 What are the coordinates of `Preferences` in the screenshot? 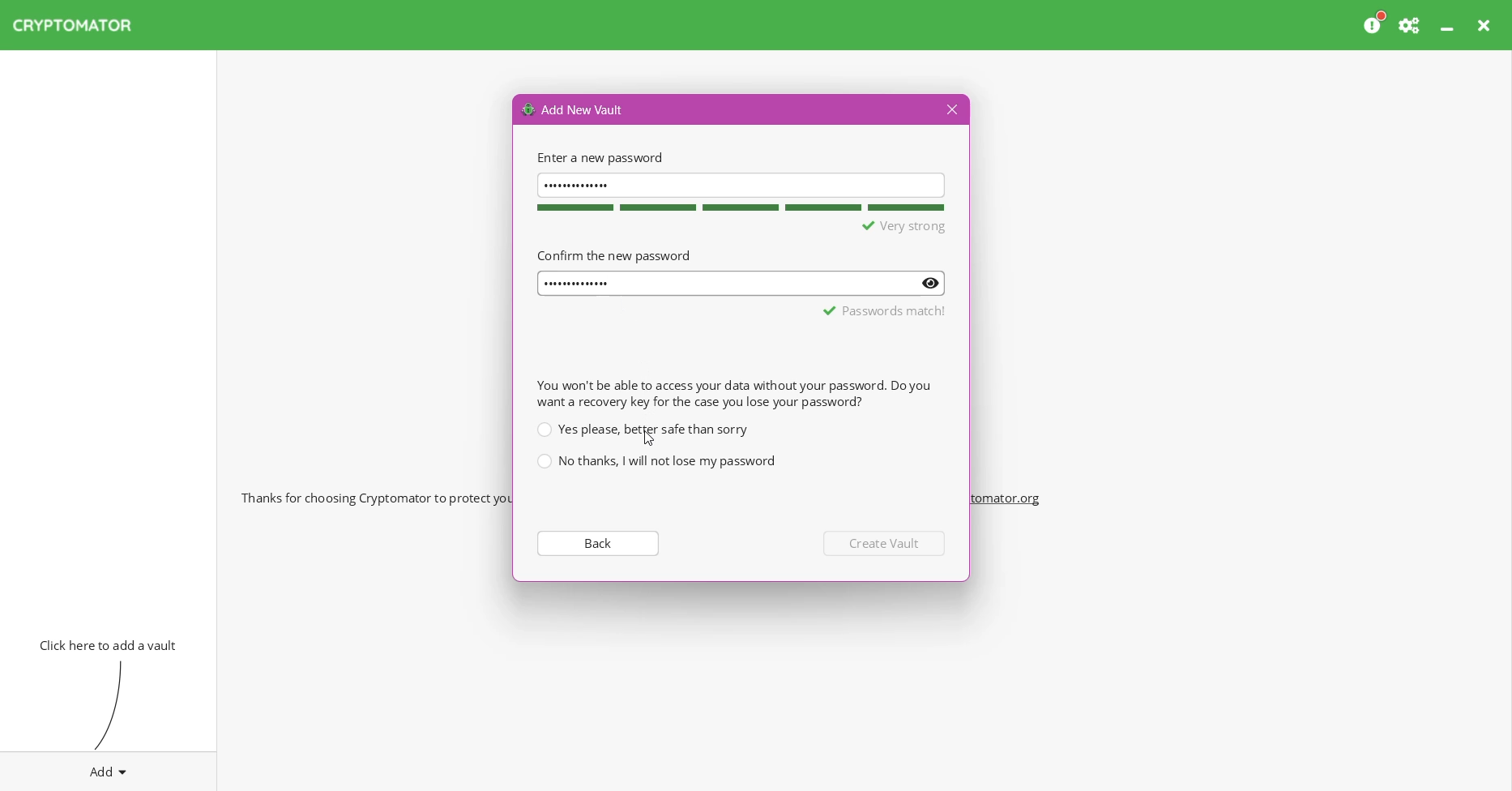 It's located at (1411, 25).